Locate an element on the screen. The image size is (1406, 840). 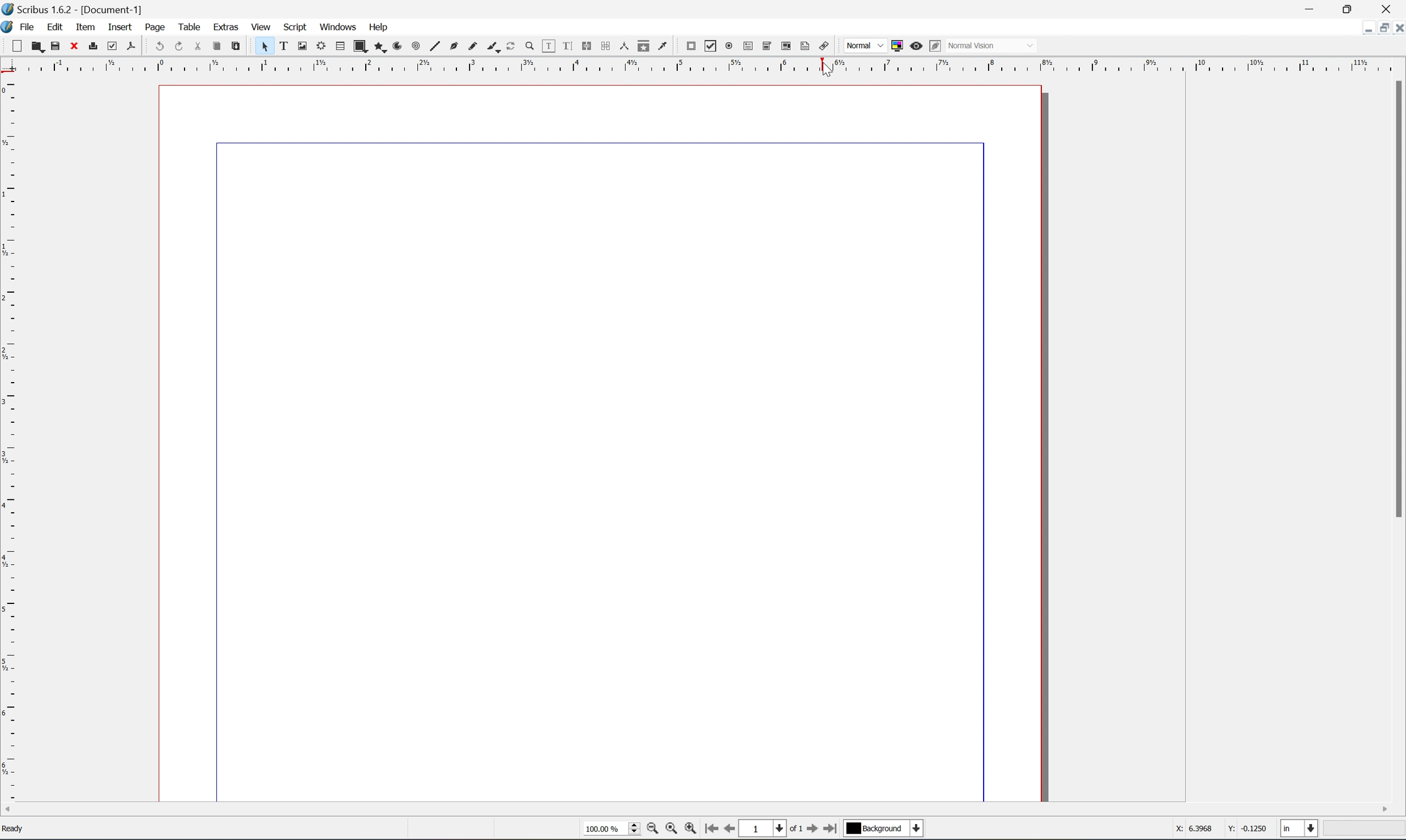
minimize is located at coordinates (1314, 7).